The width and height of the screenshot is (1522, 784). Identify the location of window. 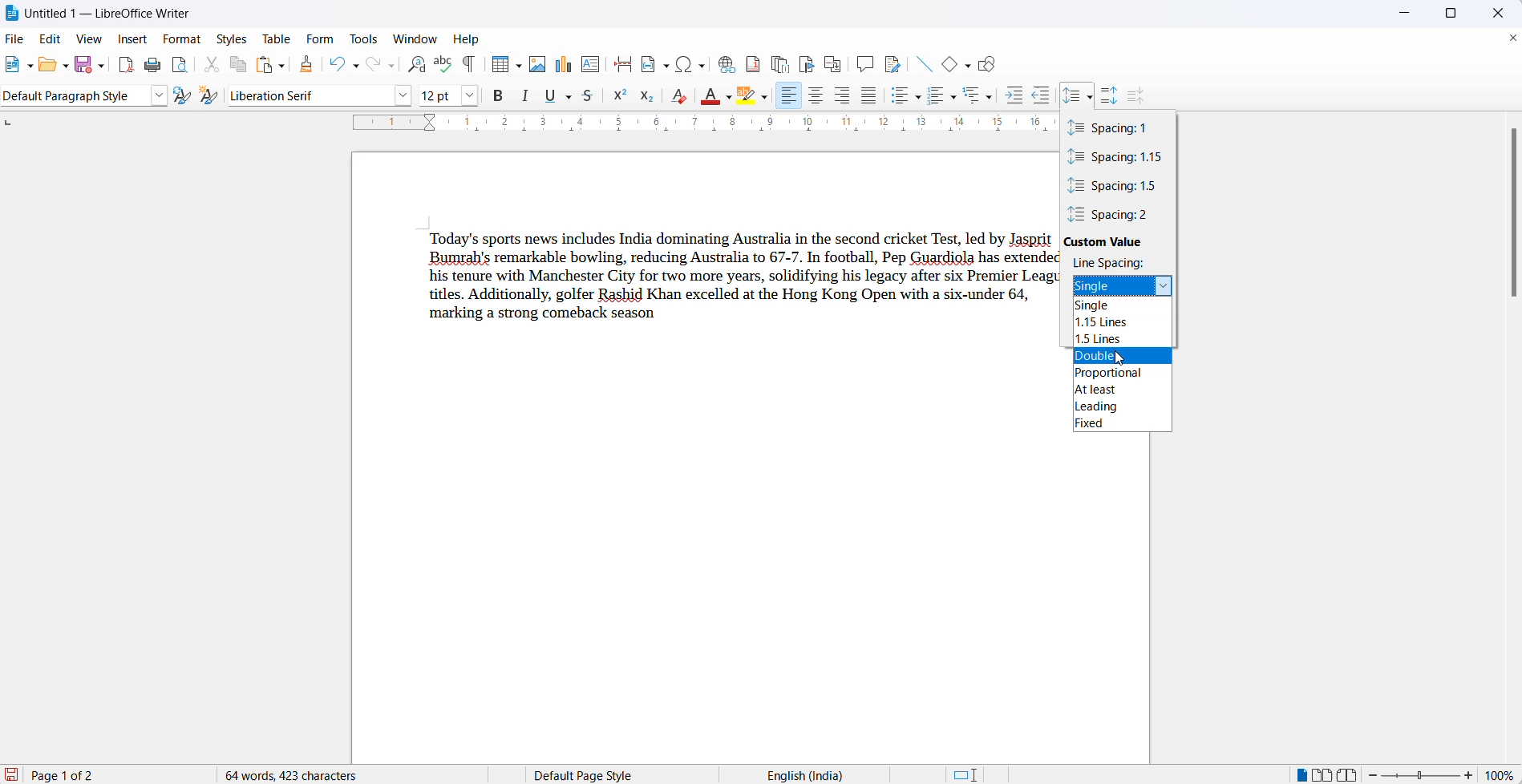
(415, 39).